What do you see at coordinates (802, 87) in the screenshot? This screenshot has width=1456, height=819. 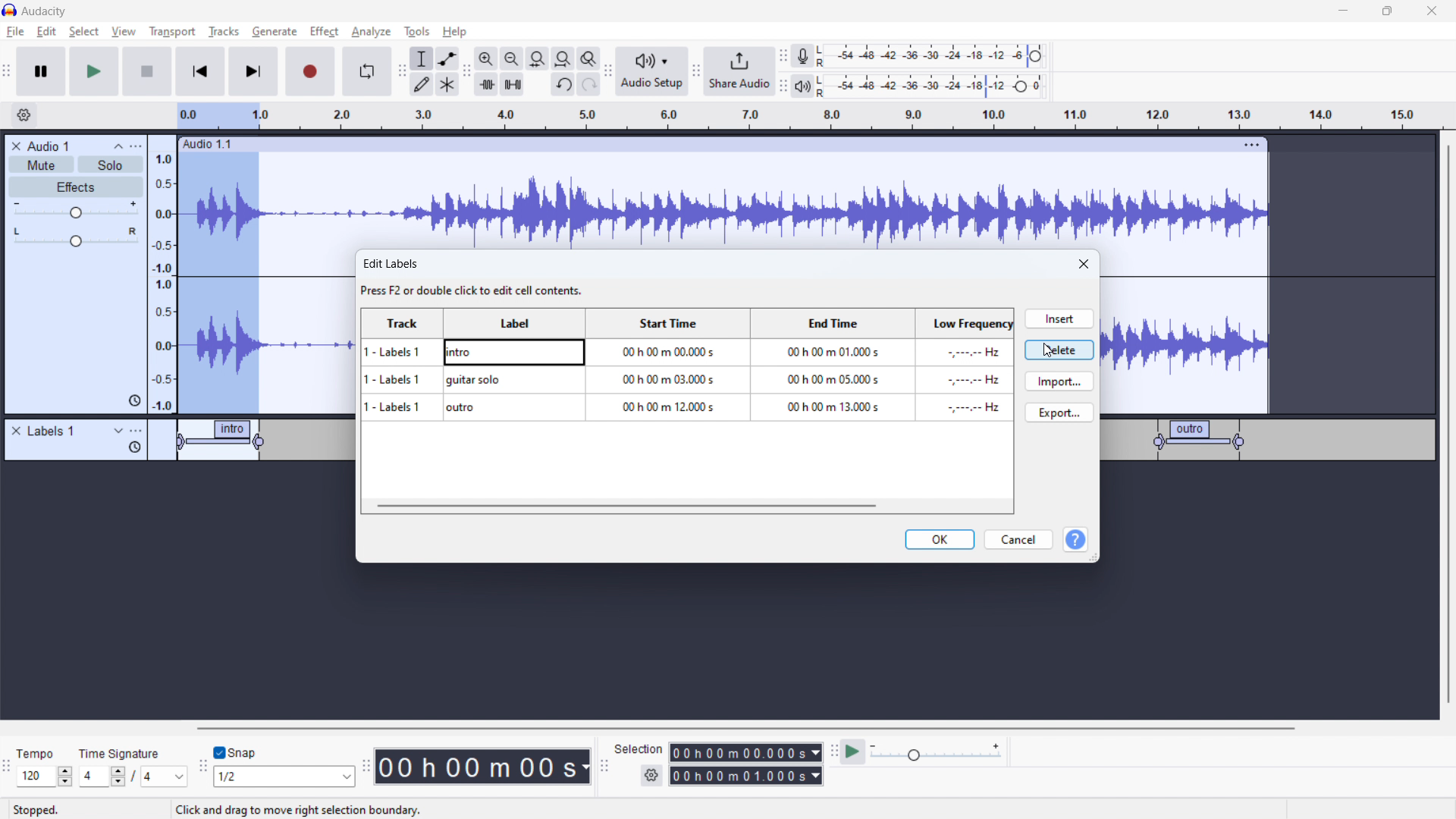 I see `playback meter` at bounding box center [802, 87].